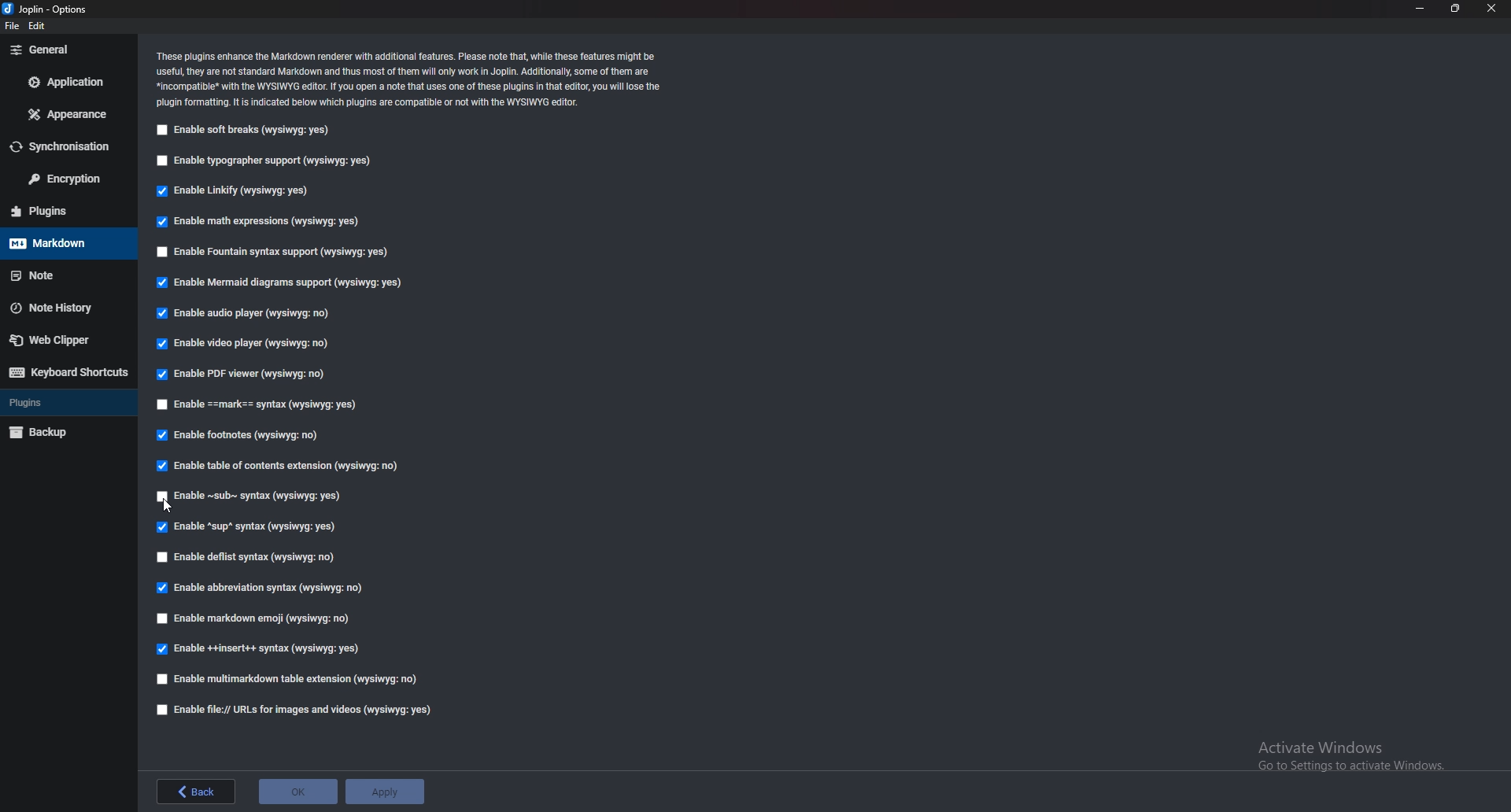 Image resolution: width=1511 pixels, height=812 pixels. I want to click on ok, so click(299, 792).